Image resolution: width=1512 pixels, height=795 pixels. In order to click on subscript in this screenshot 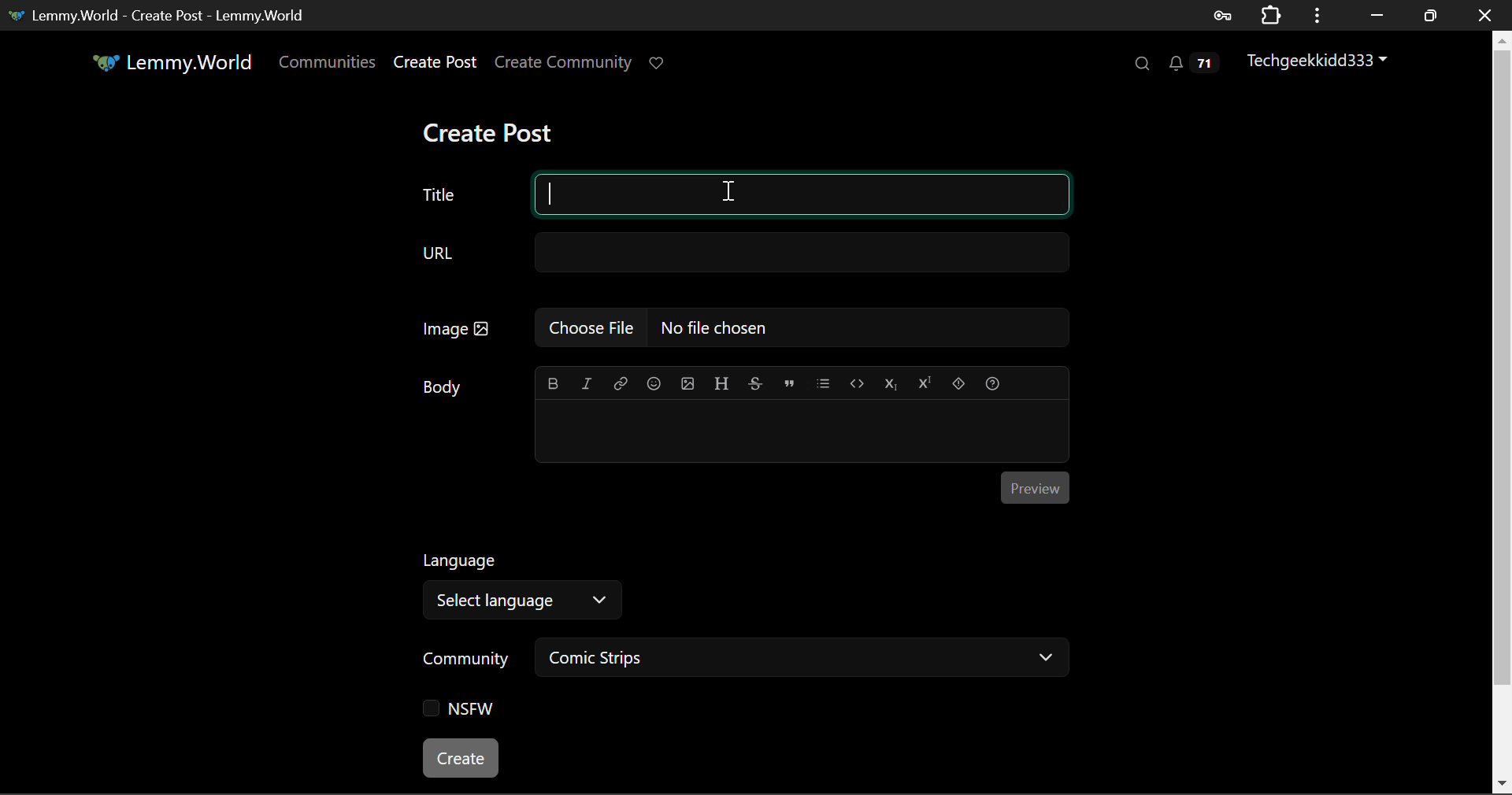, I will do `click(891, 383)`.